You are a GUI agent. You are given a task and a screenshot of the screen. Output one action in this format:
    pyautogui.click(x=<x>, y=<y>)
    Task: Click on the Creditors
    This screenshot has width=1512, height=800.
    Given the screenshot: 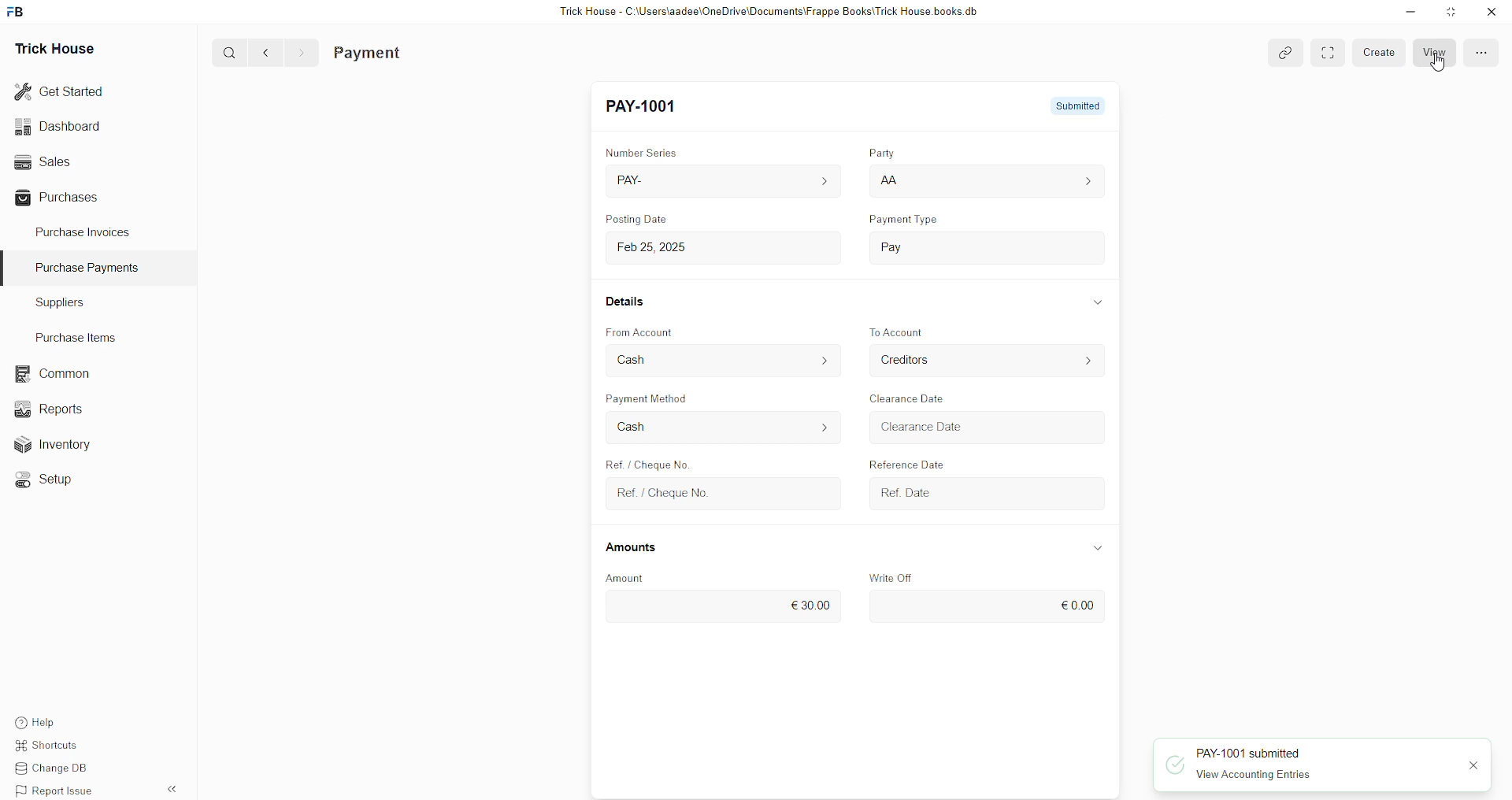 What is the action you would take?
    pyautogui.click(x=915, y=361)
    